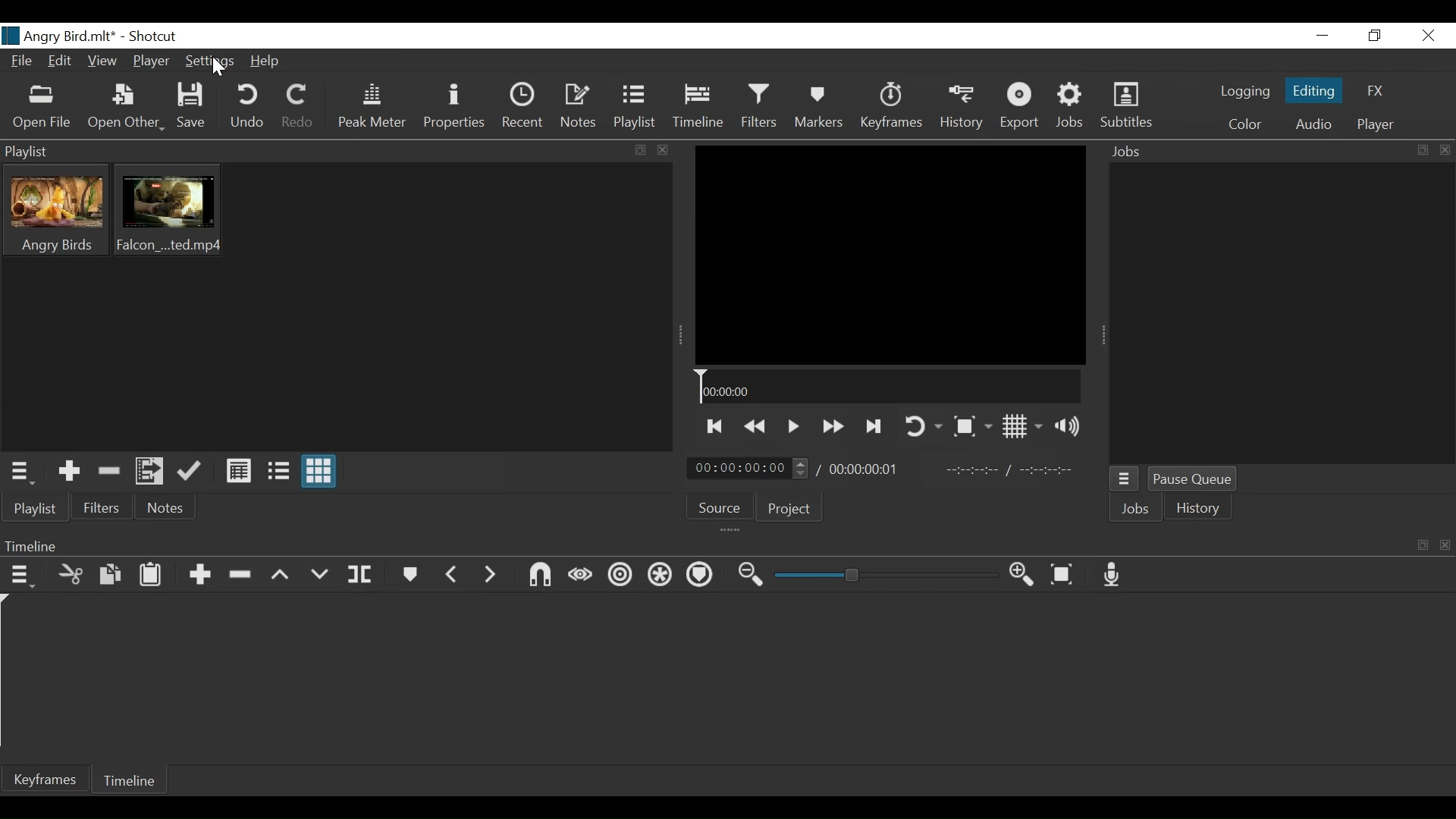 This screenshot has height=819, width=1456. Describe the element at coordinates (210, 63) in the screenshot. I see `Settings` at that location.